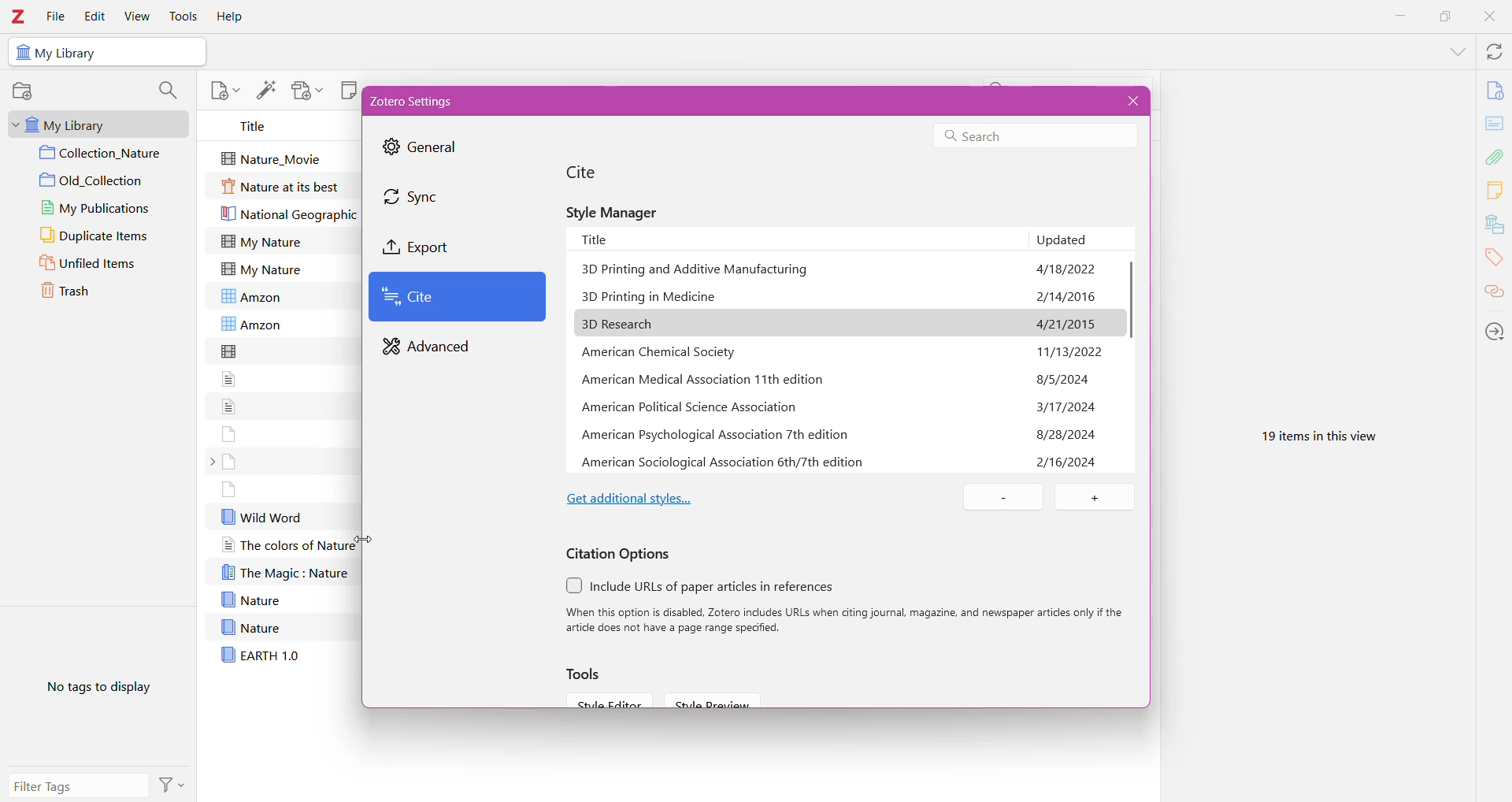  What do you see at coordinates (250, 600) in the screenshot?
I see `Nature` at bounding box center [250, 600].